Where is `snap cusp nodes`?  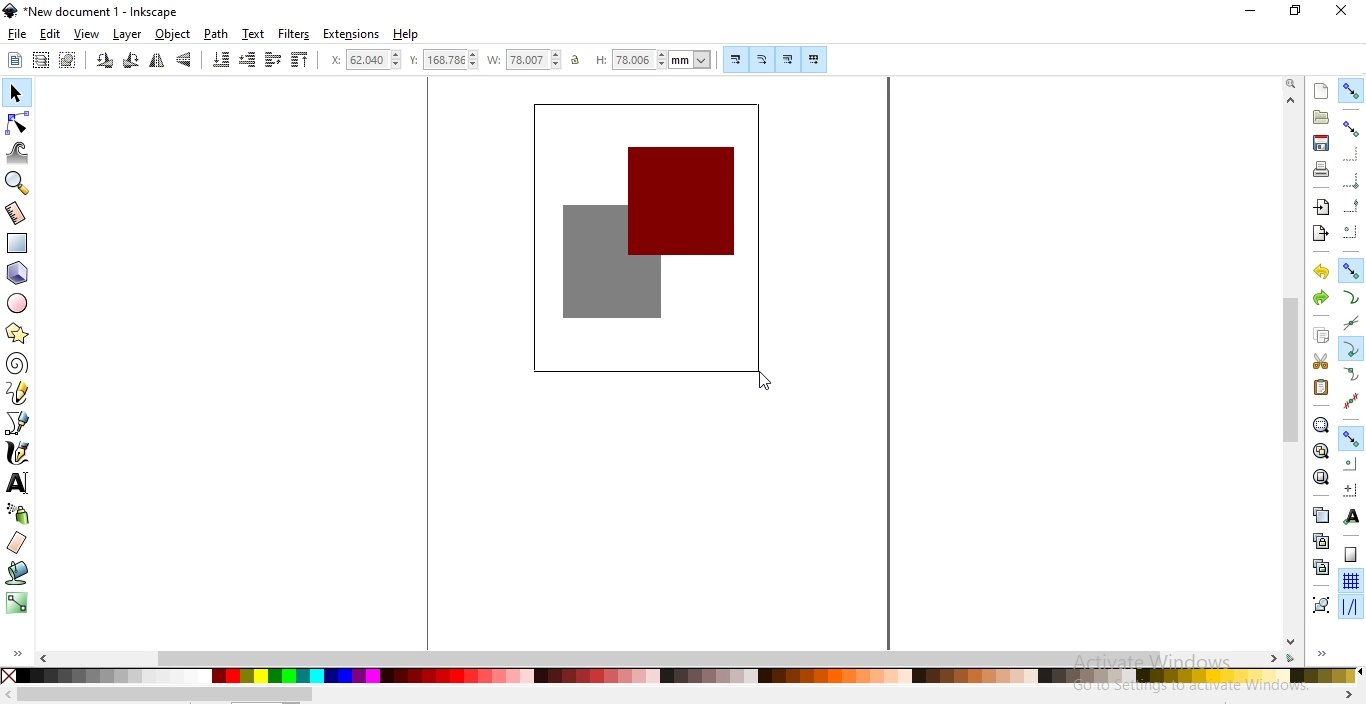 snap cusp nodes is located at coordinates (1352, 349).